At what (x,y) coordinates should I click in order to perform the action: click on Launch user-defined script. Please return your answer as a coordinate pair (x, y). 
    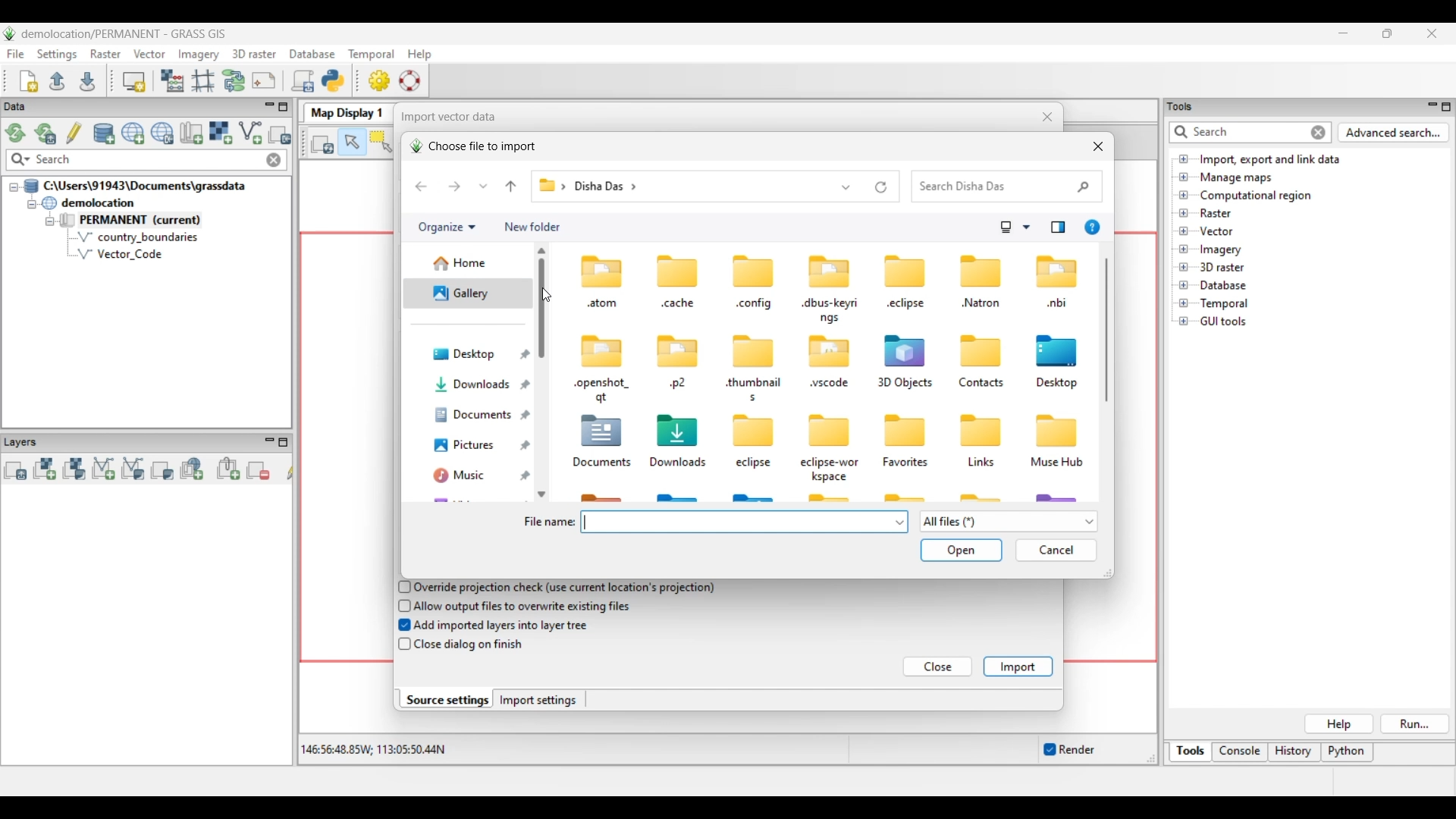
    Looking at the image, I should click on (303, 80).